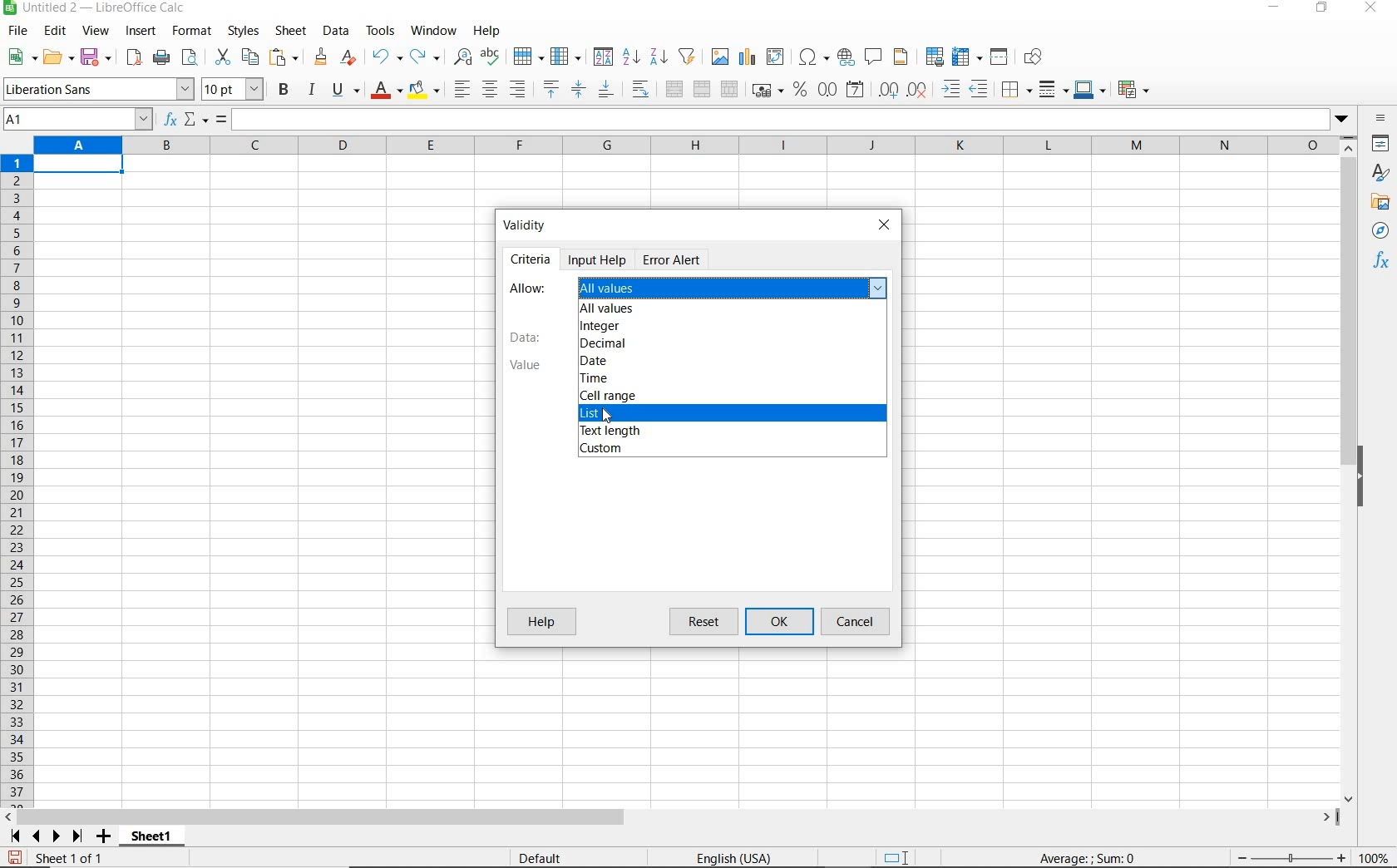 Image resolution: width=1397 pixels, height=868 pixels. I want to click on integer, so click(600, 326).